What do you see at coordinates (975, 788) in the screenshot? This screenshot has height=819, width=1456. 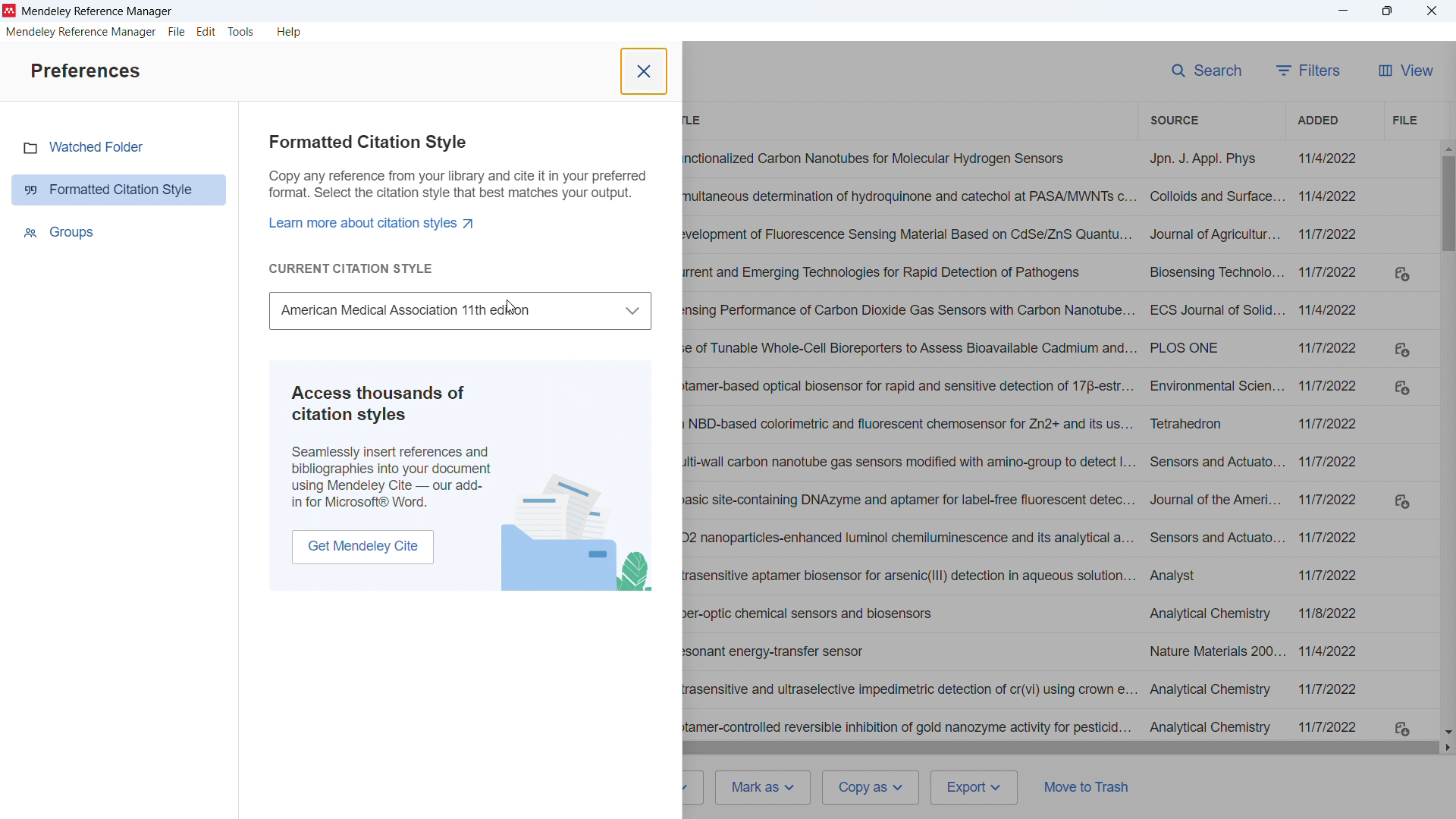 I see `Export ` at bounding box center [975, 788].